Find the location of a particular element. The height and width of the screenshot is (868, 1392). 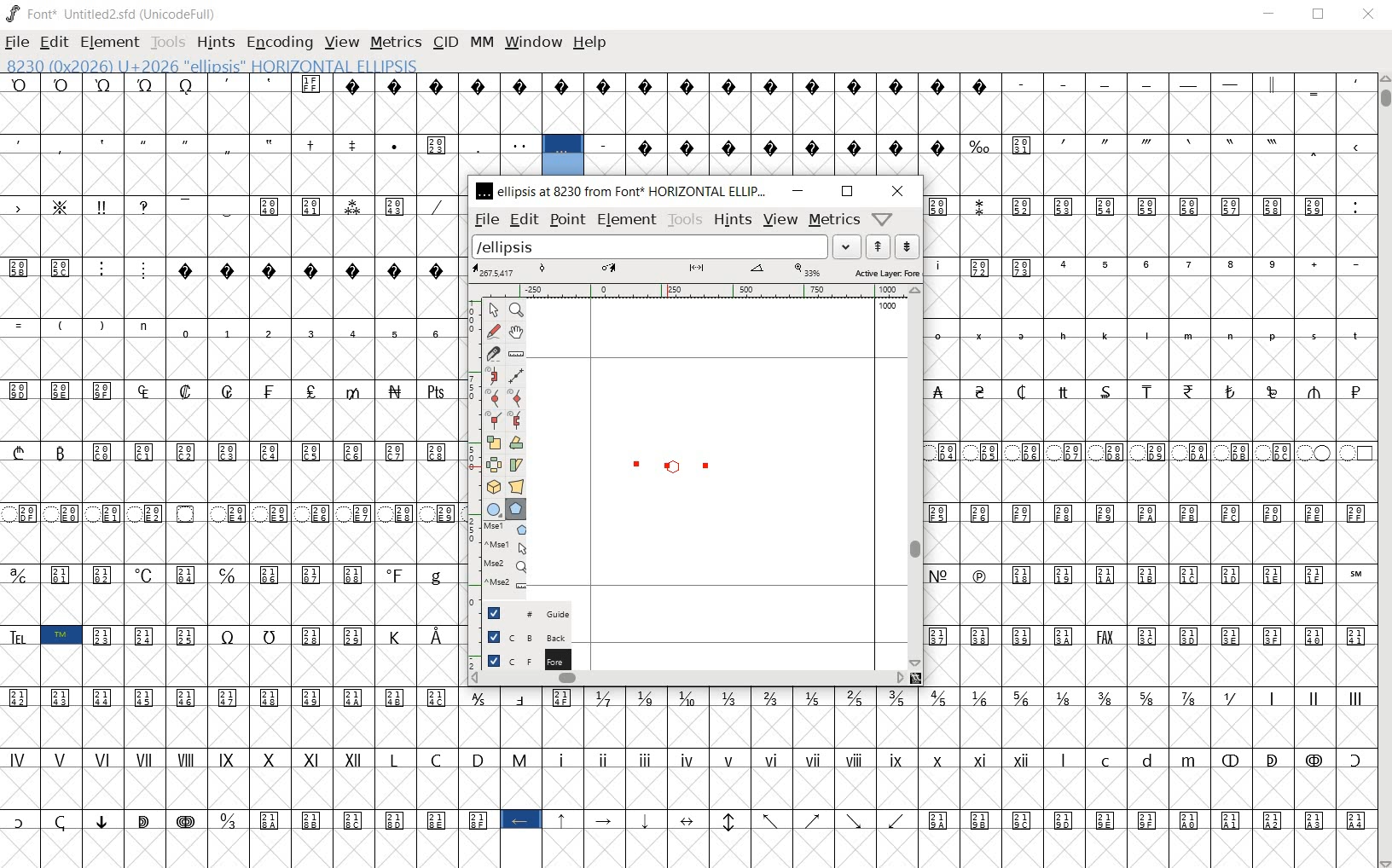

ruler is located at coordinates (707, 290).